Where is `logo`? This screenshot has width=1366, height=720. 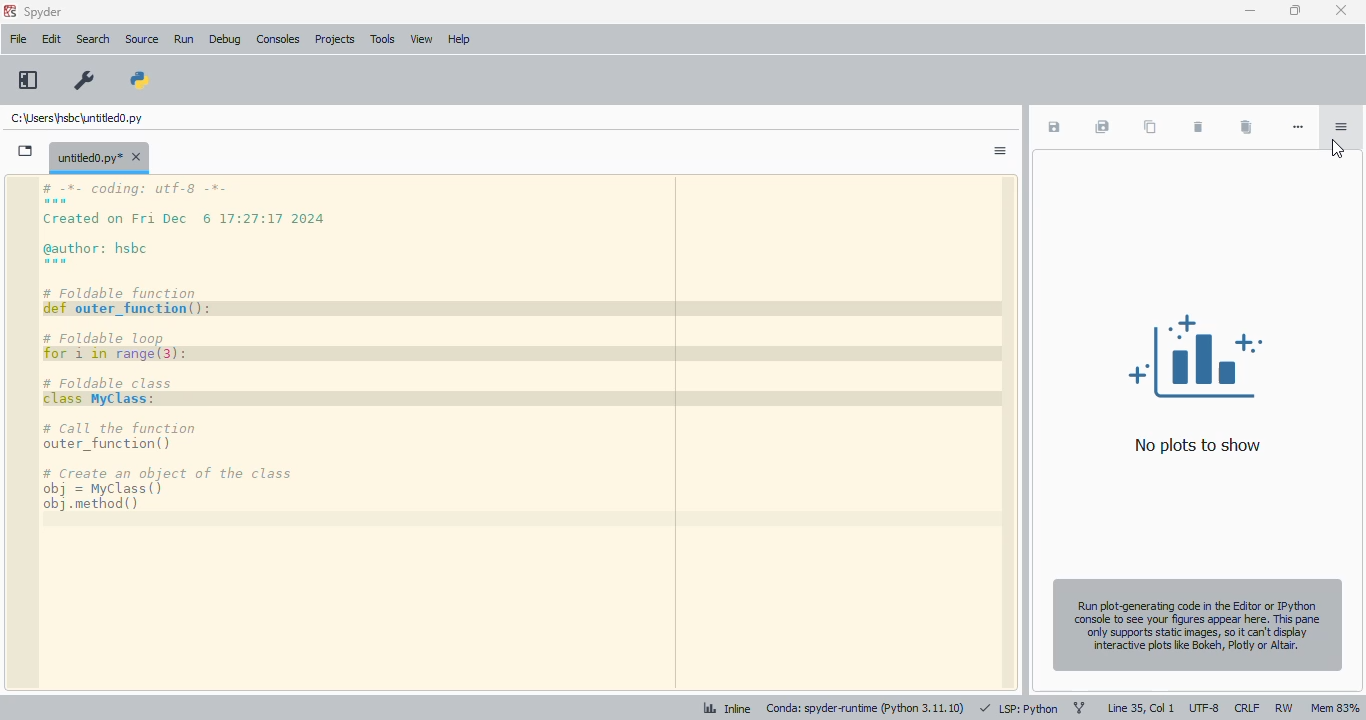
logo is located at coordinates (10, 11).